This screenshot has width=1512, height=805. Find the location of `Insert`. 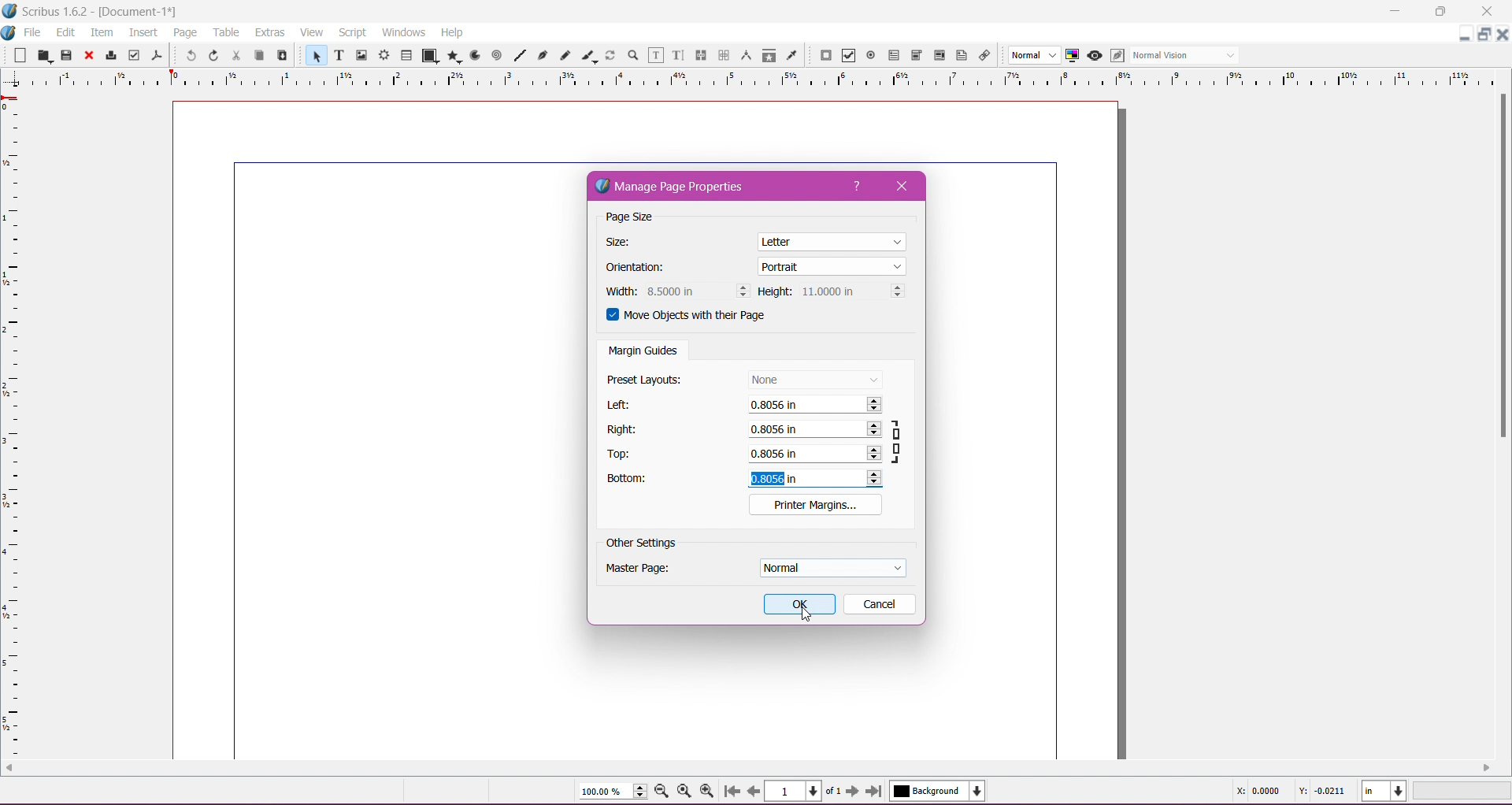

Insert is located at coordinates (143, 33).